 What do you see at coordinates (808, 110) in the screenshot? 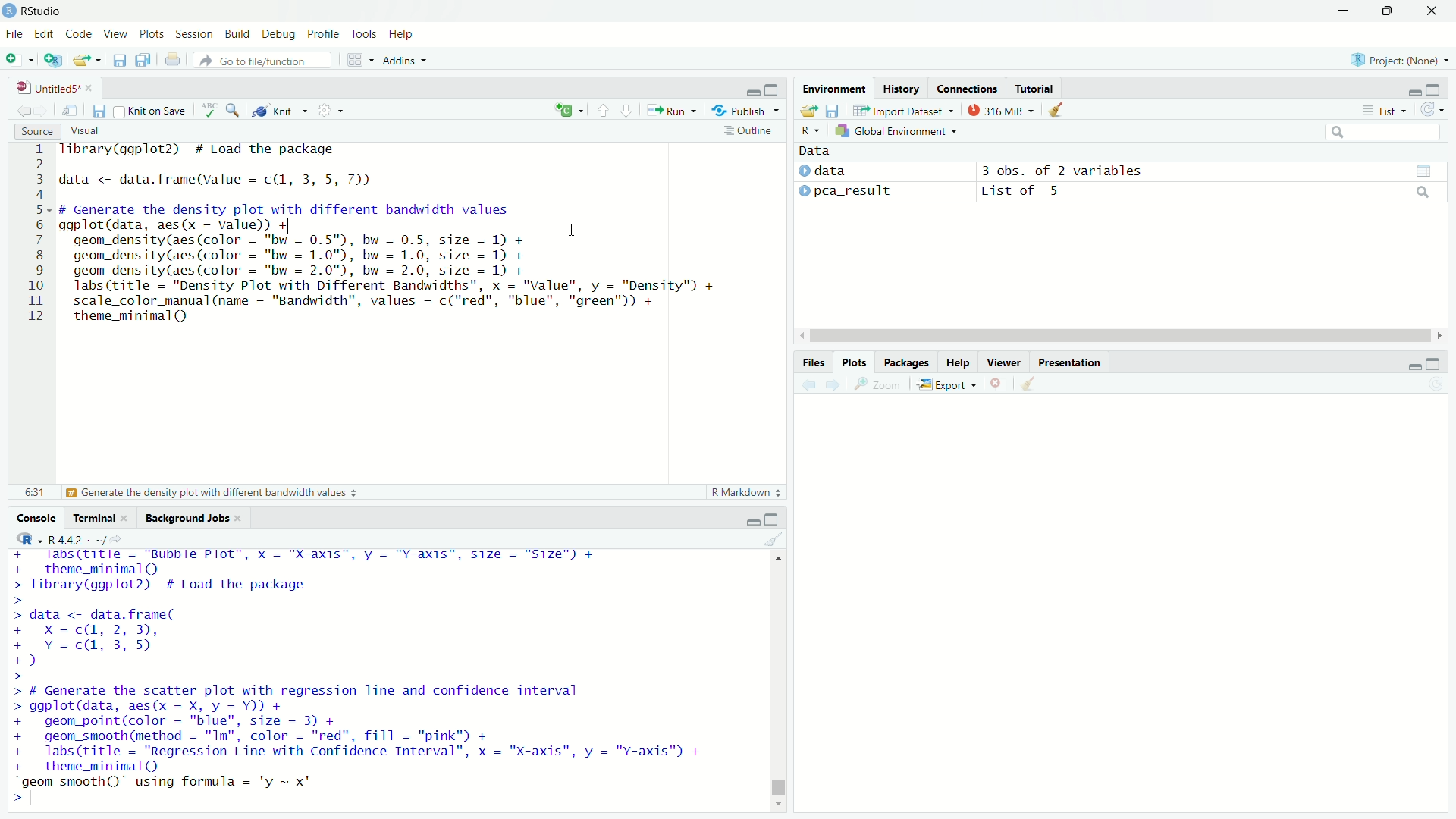
I see `Load workspace` at bounding box center [808, 110].